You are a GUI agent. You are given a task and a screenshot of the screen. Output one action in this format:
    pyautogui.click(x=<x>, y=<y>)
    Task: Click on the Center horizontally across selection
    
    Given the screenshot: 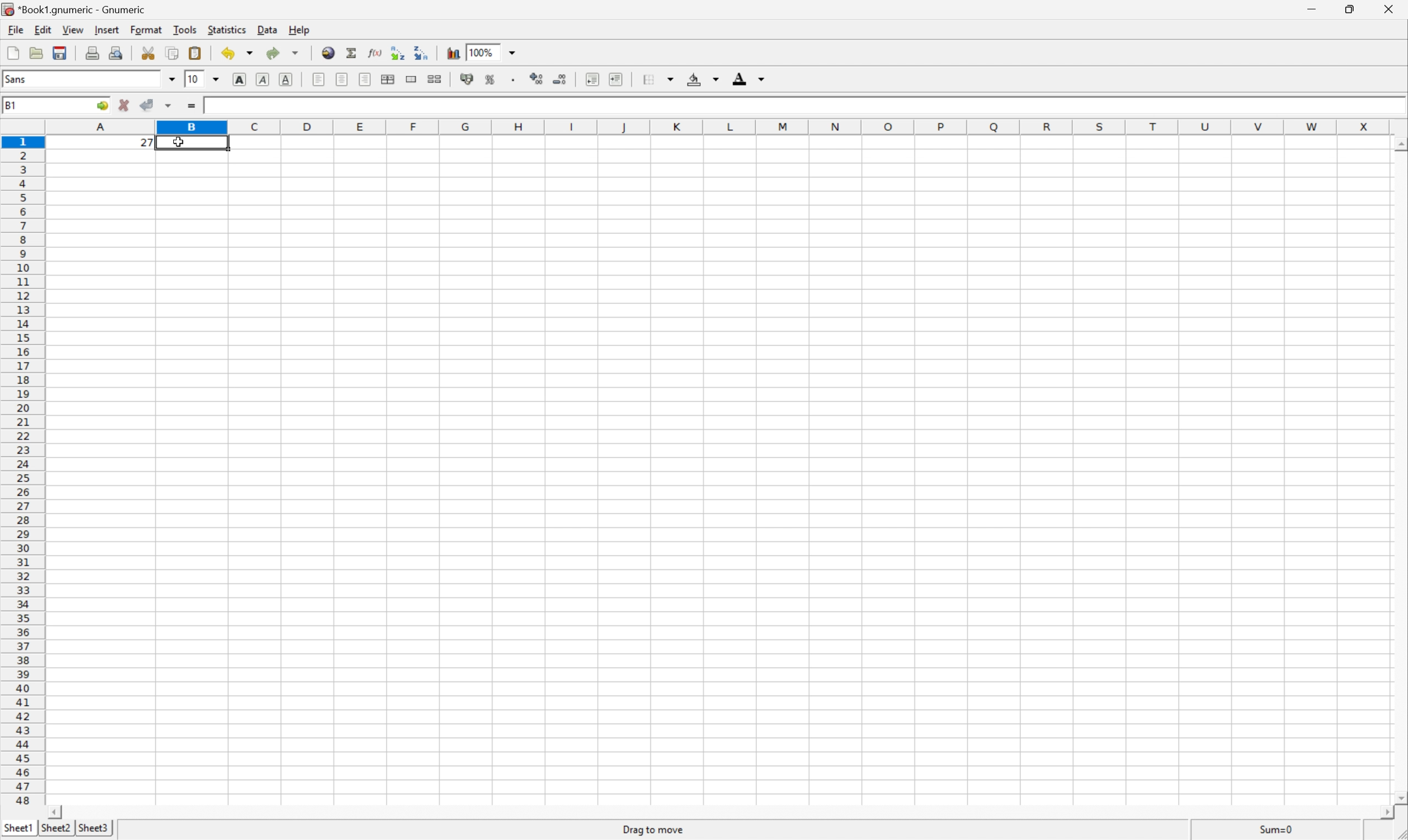 What is the action you would take?
    pyautogui.click(x=387, y=79)
    